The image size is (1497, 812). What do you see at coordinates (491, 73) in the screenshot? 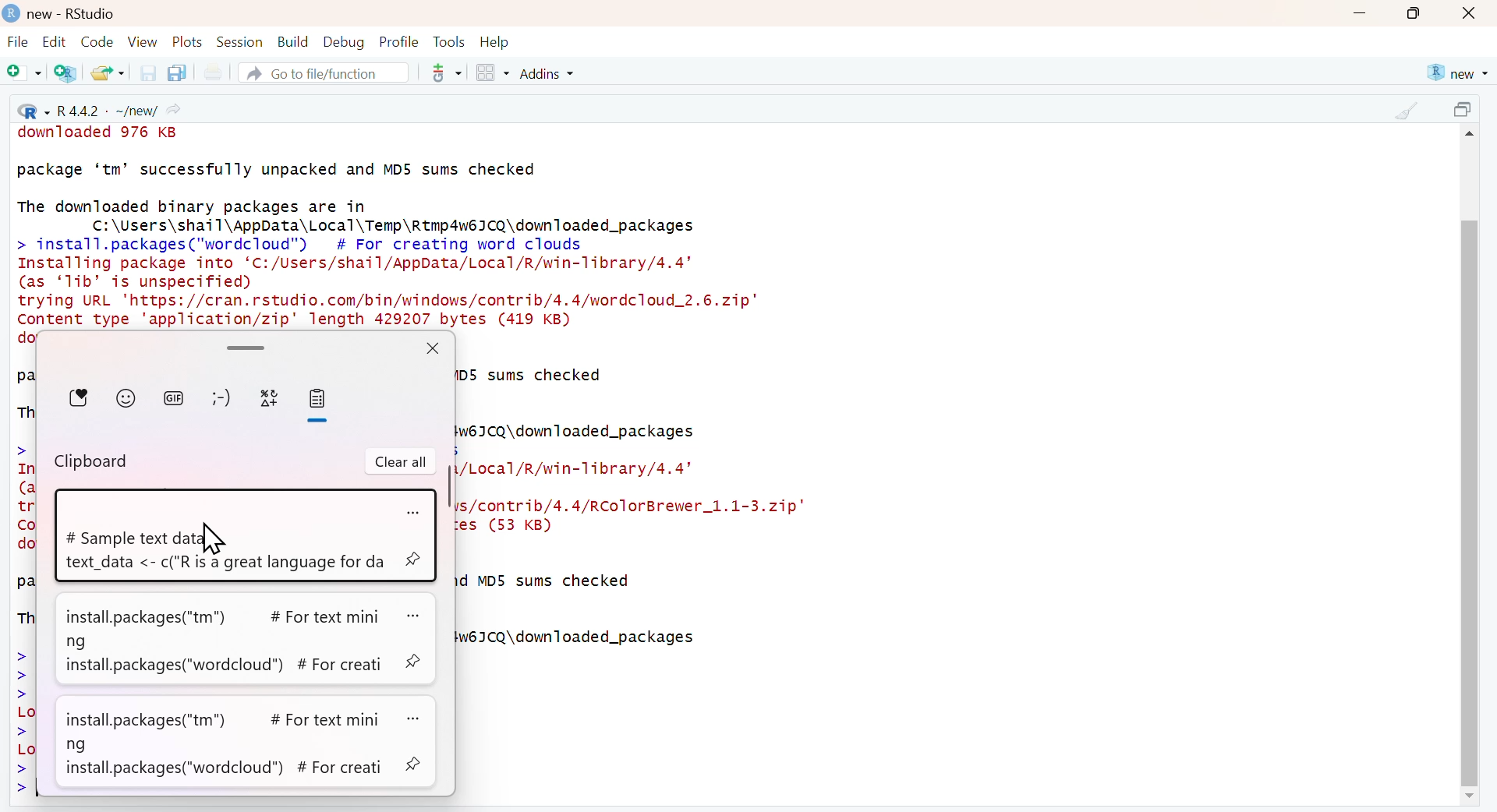
I see `Workspace panes` at bounding box center [491, 73].